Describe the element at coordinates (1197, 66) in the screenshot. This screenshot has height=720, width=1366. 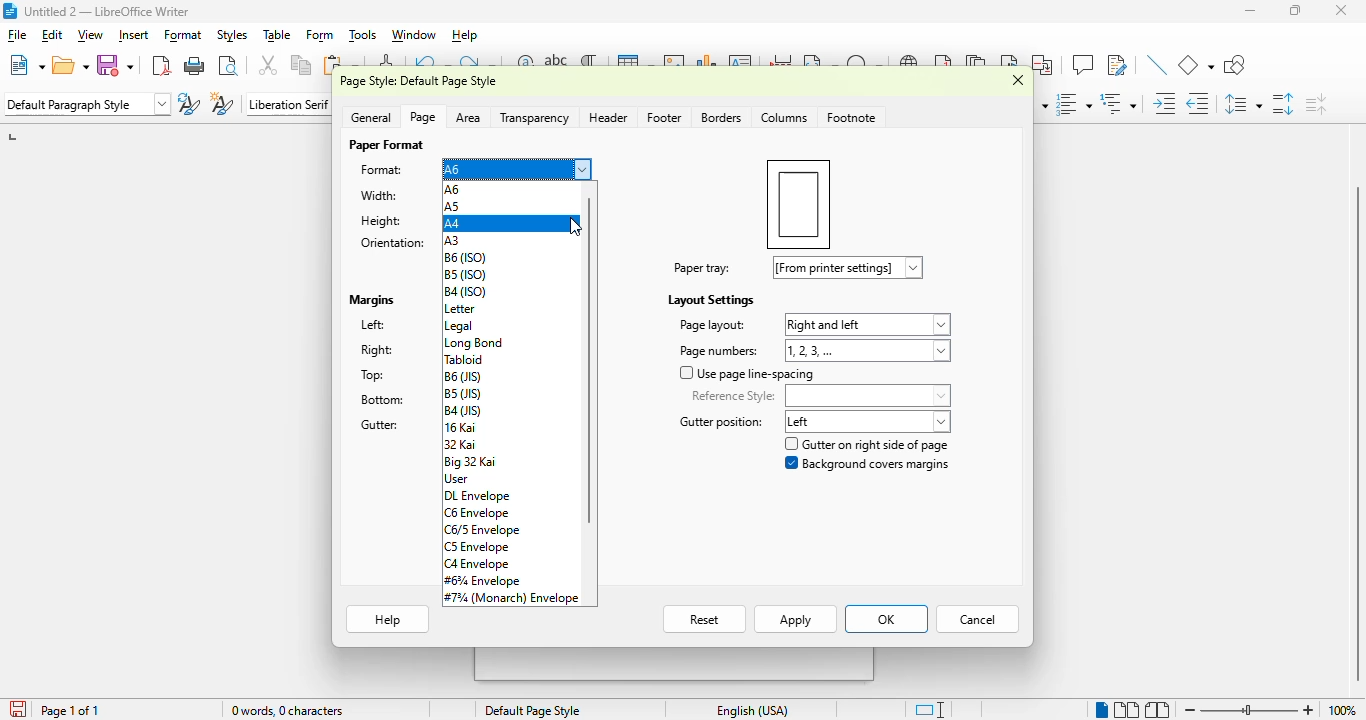
I see `basic shapes` at that location.